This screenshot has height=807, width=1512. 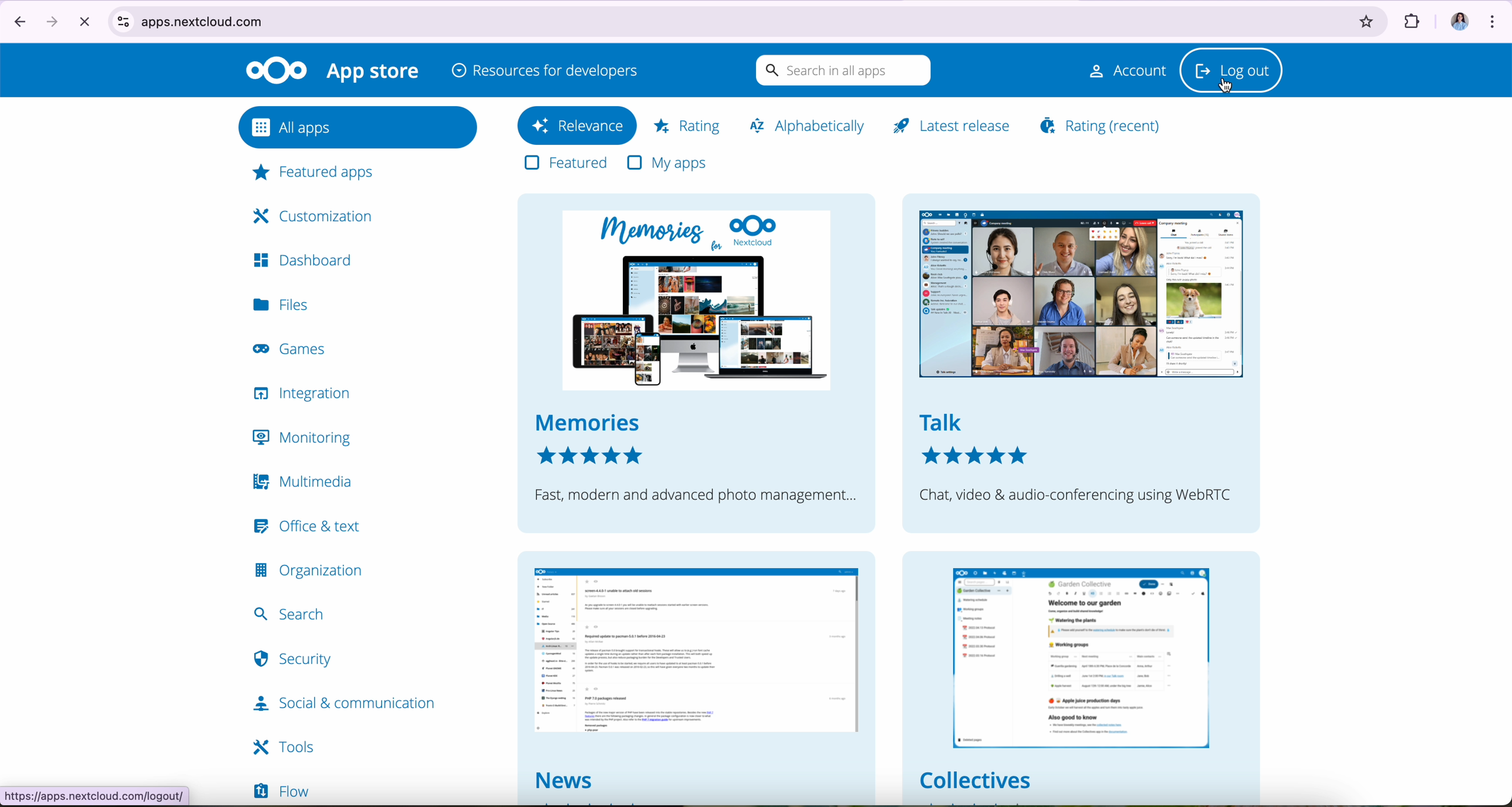 What do you see at coordinates (307, 569) in the screenshot?
I see `organization` at bounding box center [307, 569].